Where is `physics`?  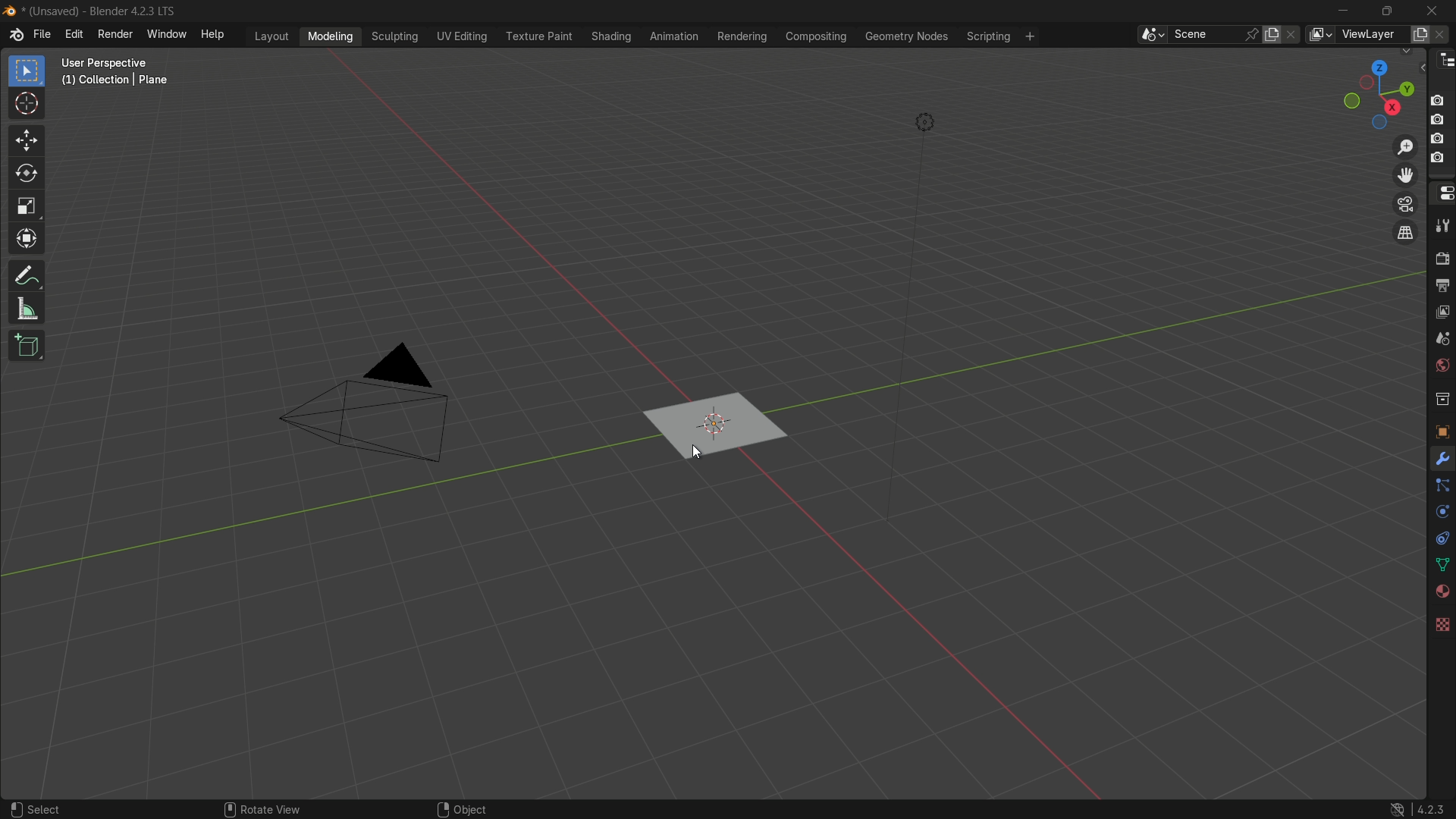
physics is located at coordinates (1441, 513).